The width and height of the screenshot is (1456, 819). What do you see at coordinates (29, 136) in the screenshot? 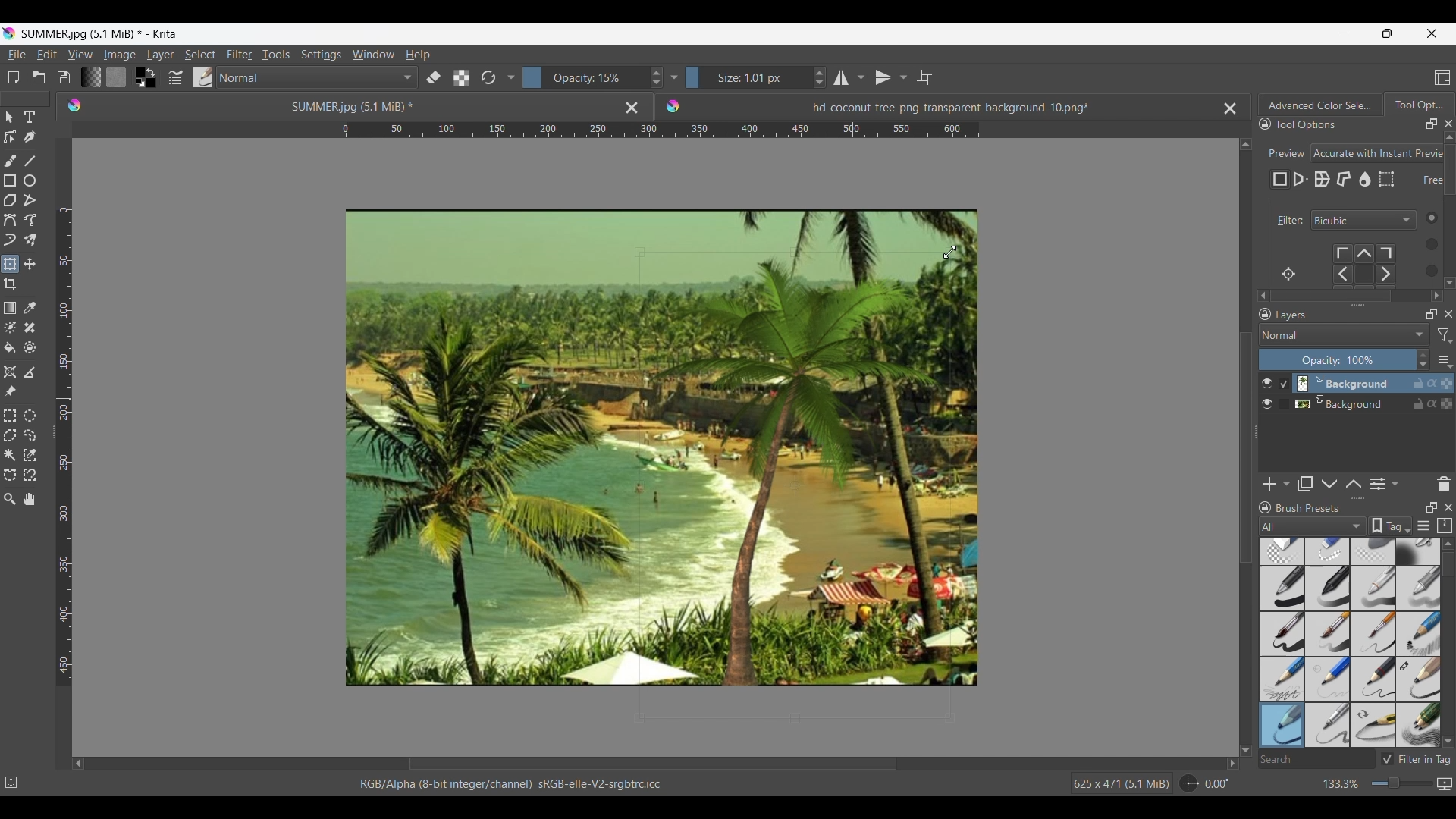
I see `Calligraphy` at bounding box center [29, 136].